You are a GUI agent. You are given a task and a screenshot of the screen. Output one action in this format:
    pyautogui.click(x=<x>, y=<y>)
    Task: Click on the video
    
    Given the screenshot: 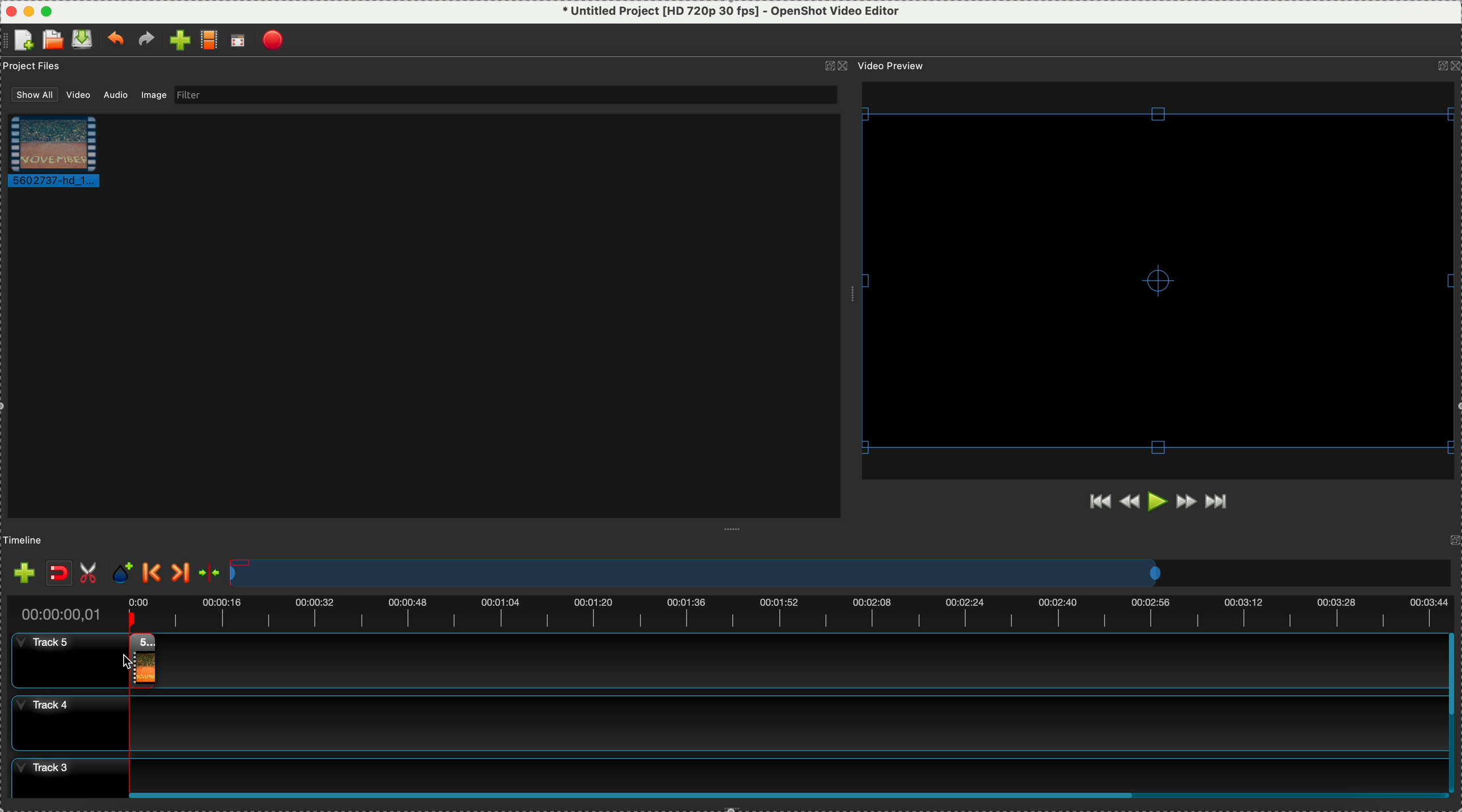 What is the action you would take?
    pyautogui.click(x=77, y=95)
    